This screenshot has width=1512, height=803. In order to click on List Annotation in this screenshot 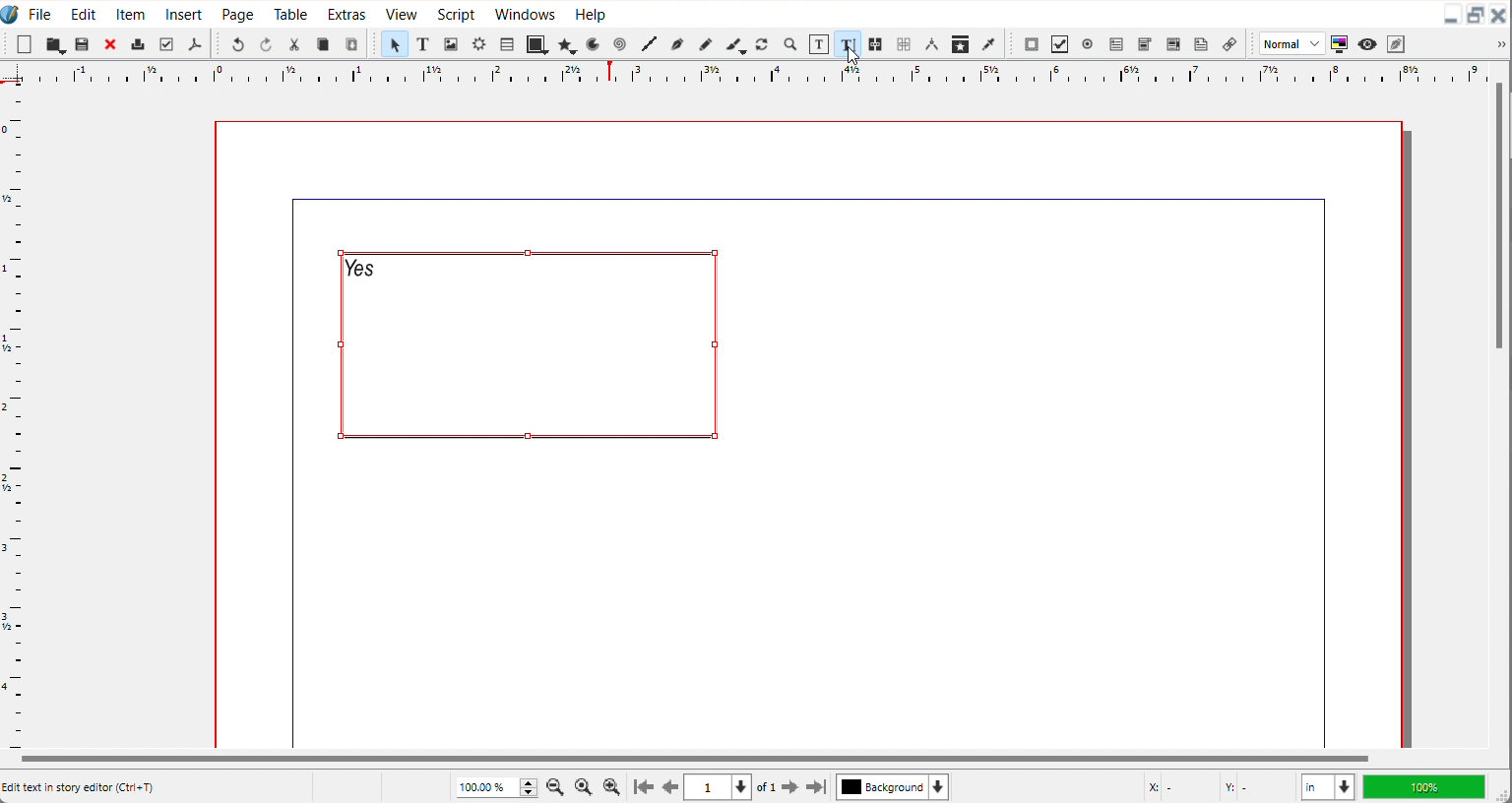, I will do `click(1228, 43)`.